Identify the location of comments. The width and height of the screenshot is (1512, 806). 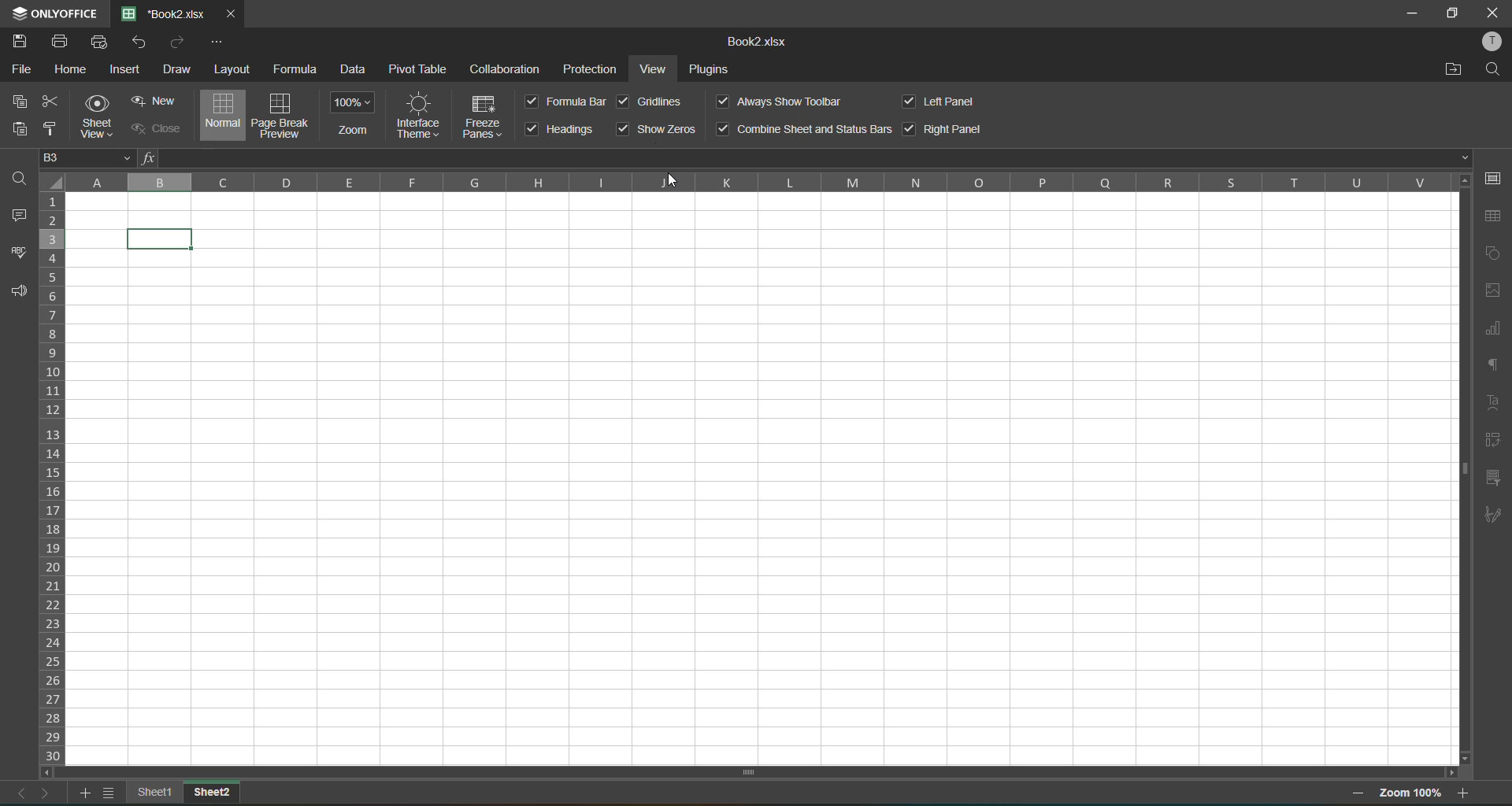
(22, 215).